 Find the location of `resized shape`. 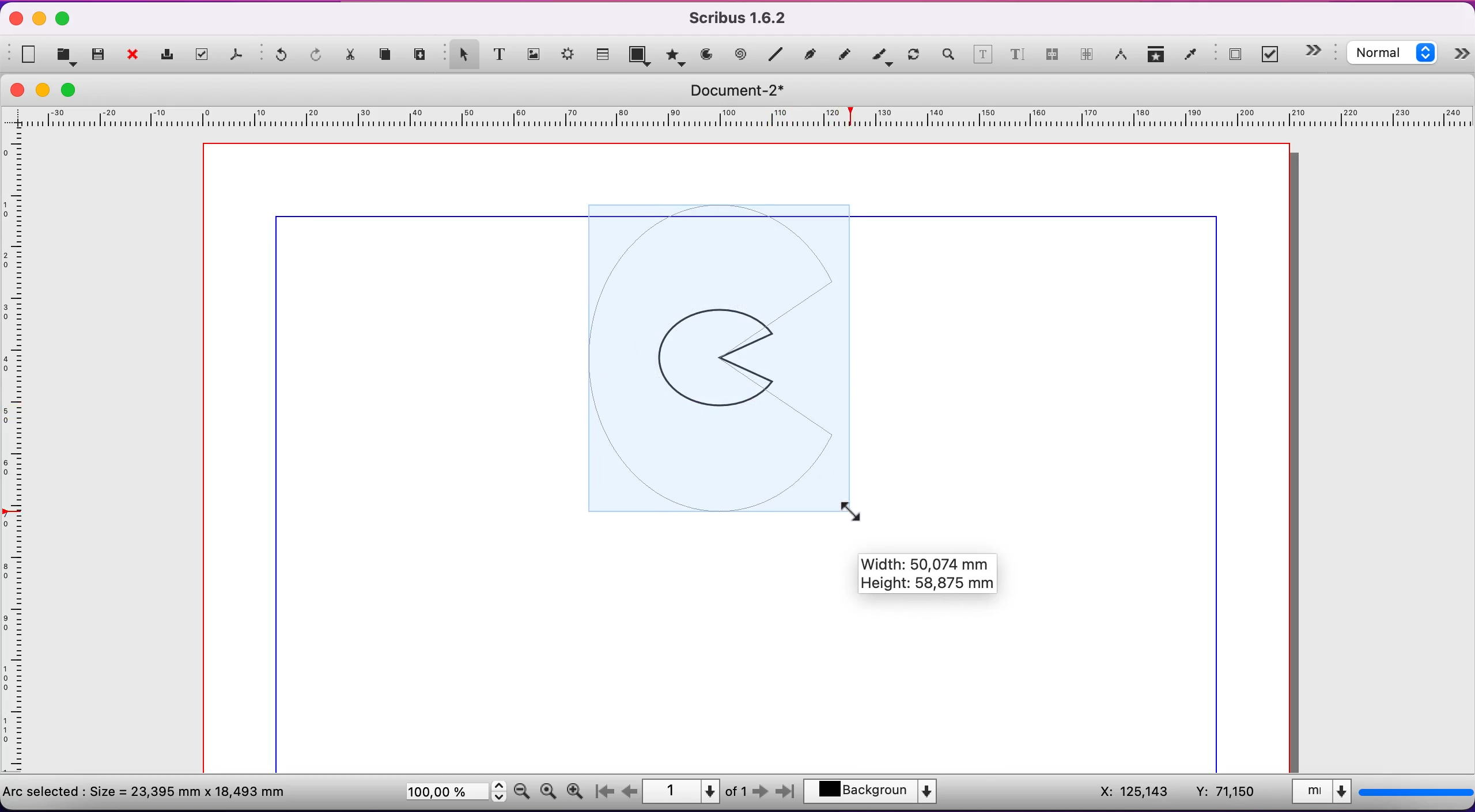

resized shape is located at coordinates (725, 359).